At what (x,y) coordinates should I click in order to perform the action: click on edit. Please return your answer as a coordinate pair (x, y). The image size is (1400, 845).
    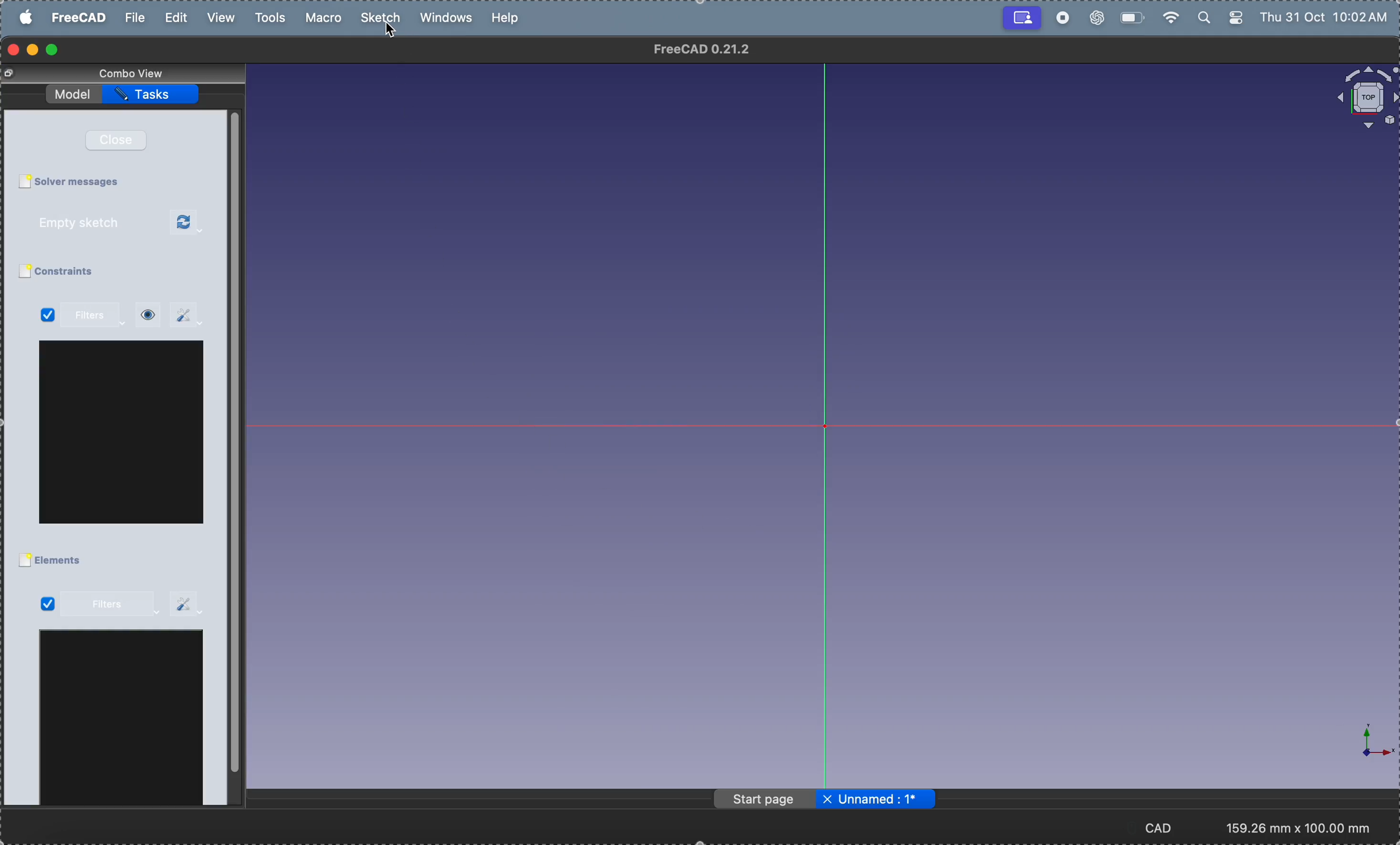
    Looking at the image, I should click on (178, 18).